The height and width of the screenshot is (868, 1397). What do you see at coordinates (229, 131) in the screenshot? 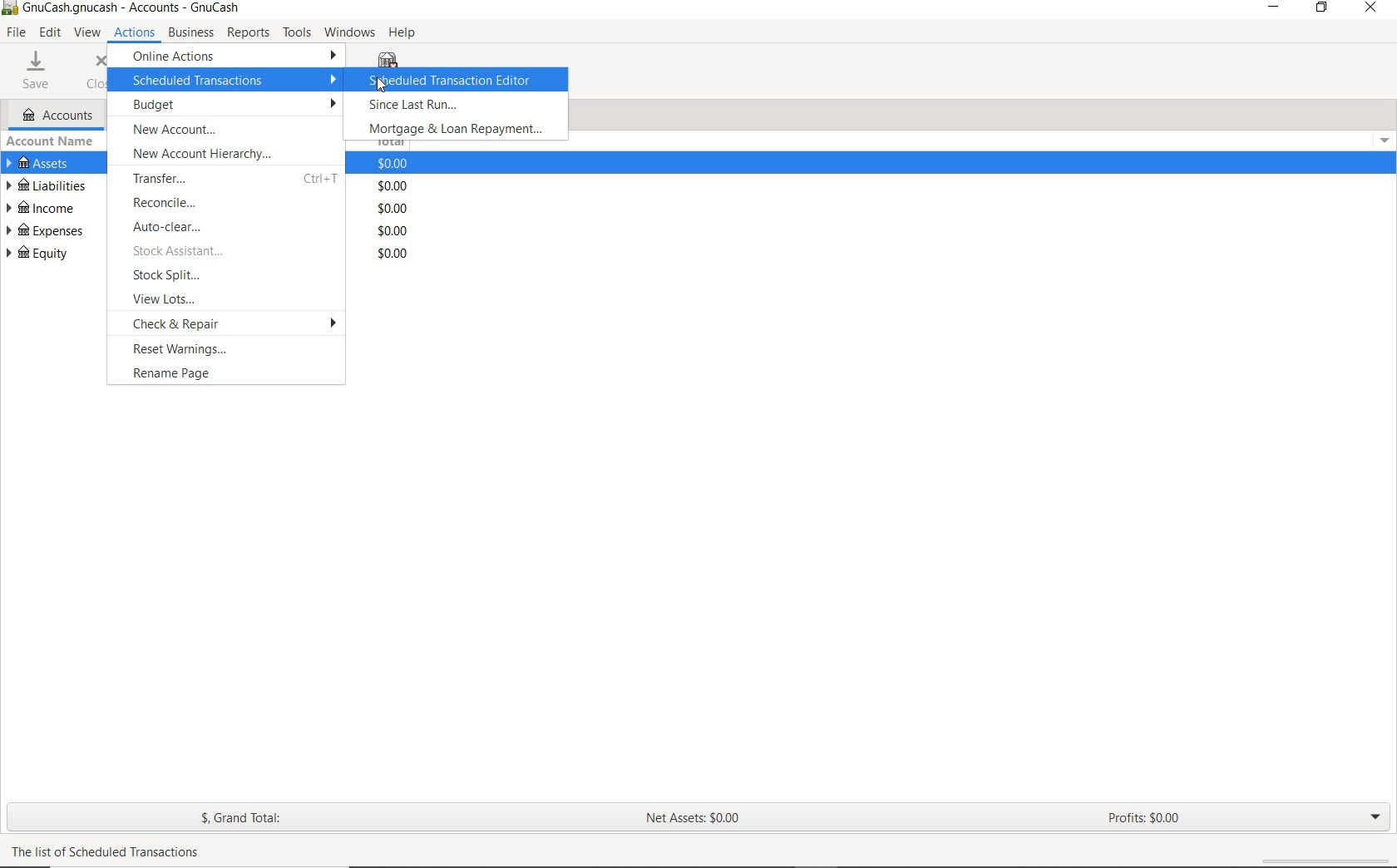
I see `NEWACCOUNT` at bounding box center [229, 131].